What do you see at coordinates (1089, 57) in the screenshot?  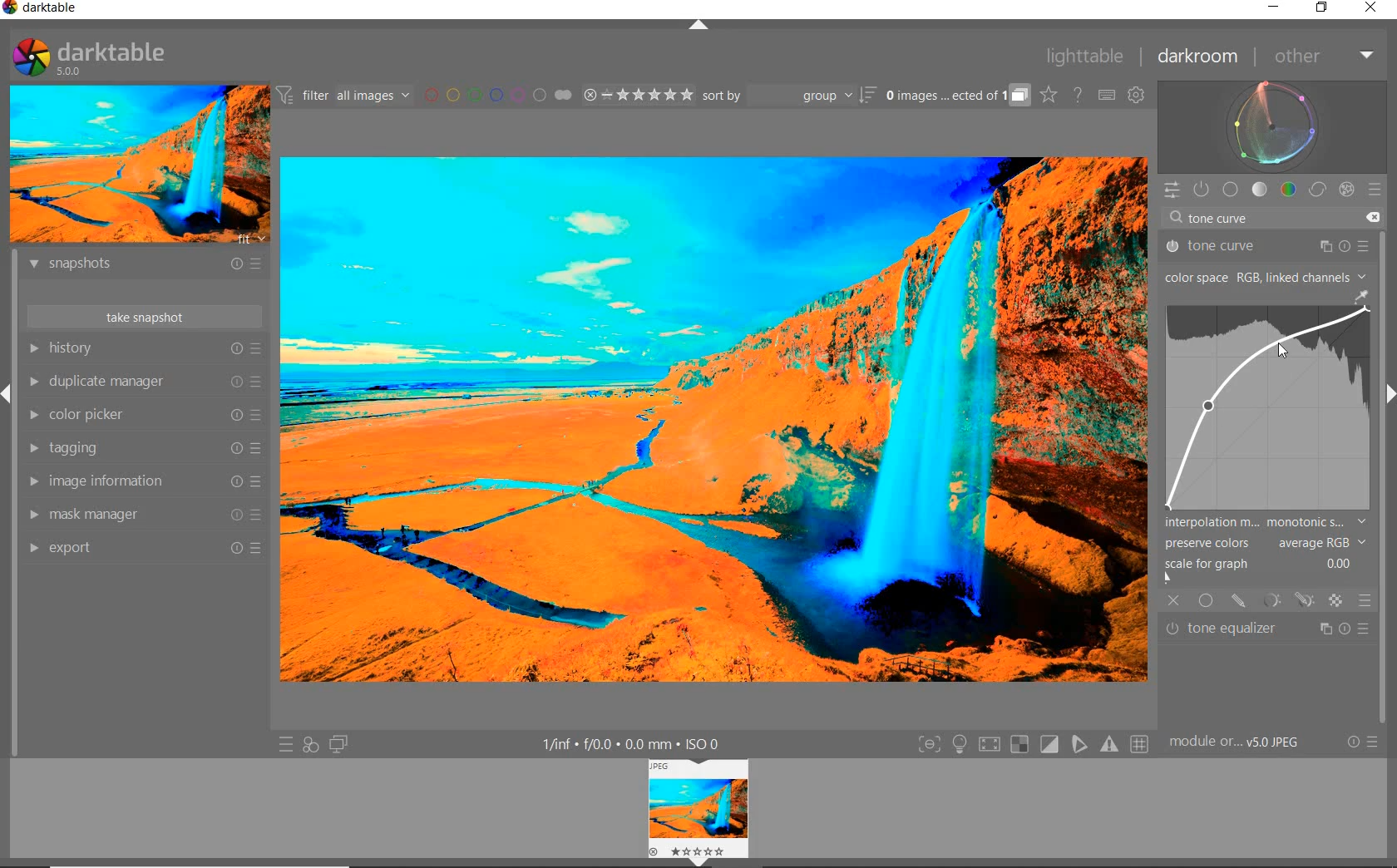 I see `lighttable` at bounding box center [1089, 57].